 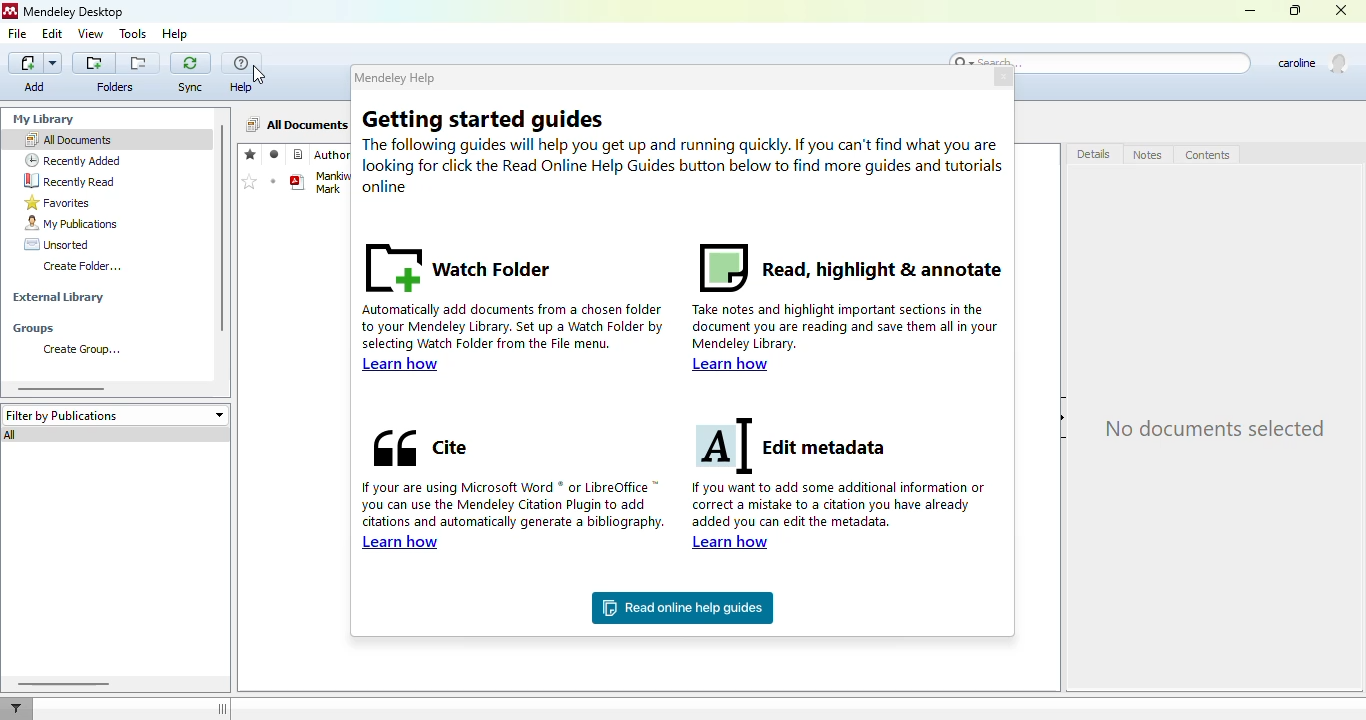 What do you see at coordinates (1146, 154) in the screenshot?
I see `notes` at bounding box center [1146, 154].